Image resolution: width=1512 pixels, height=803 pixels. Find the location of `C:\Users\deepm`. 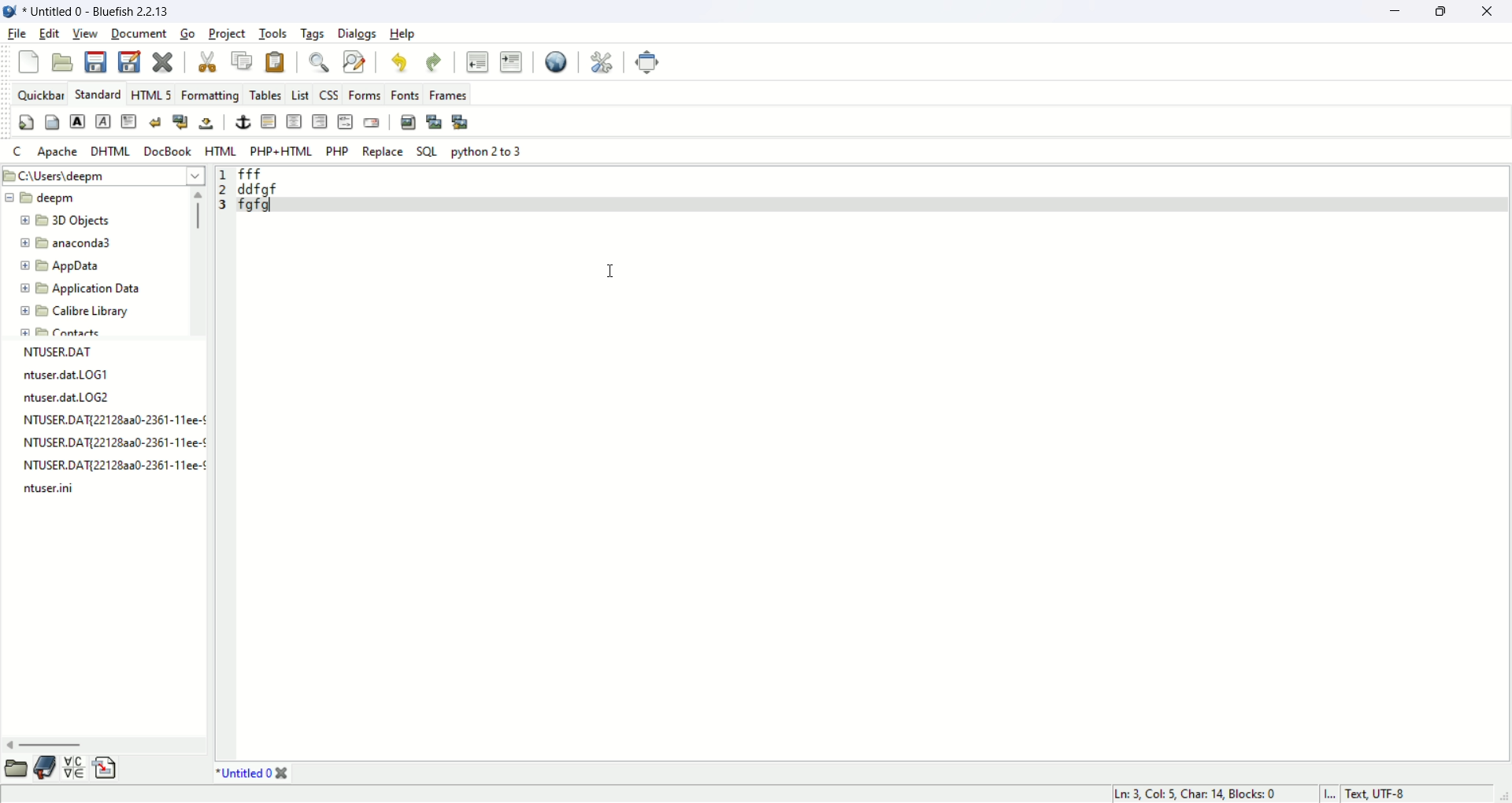

C:\Users\deepm is located at coordinates (85, 176).